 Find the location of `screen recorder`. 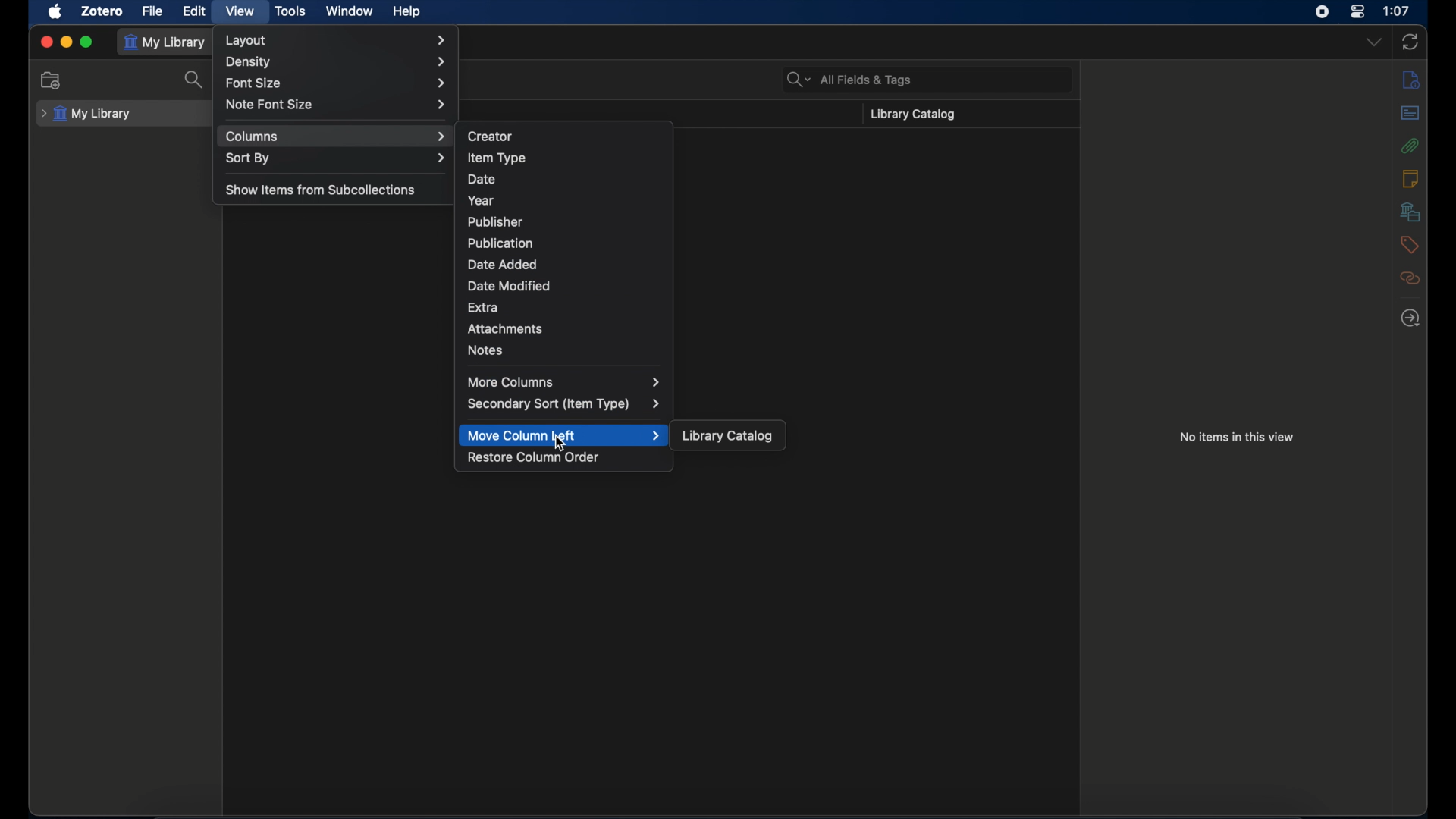

screen recorder is located at coordinates (1321, 11).